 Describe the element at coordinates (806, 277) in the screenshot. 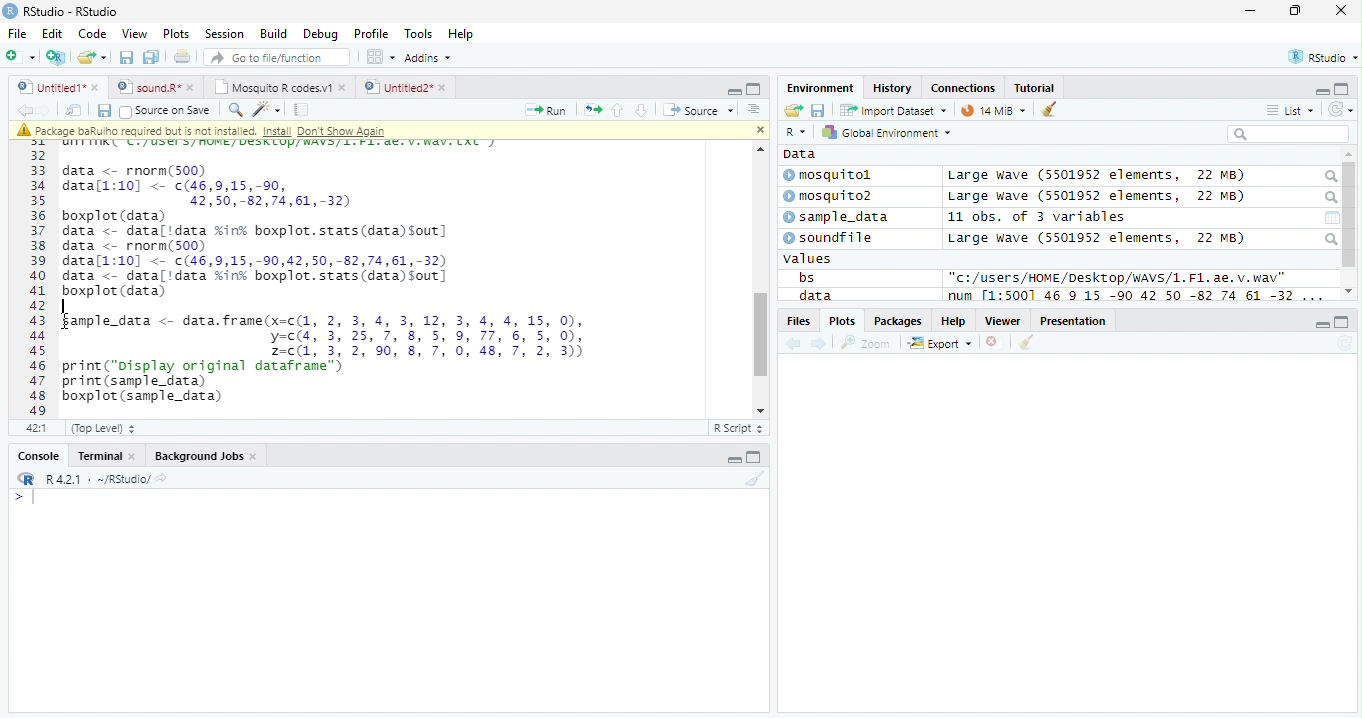

I see `bs` at that location.